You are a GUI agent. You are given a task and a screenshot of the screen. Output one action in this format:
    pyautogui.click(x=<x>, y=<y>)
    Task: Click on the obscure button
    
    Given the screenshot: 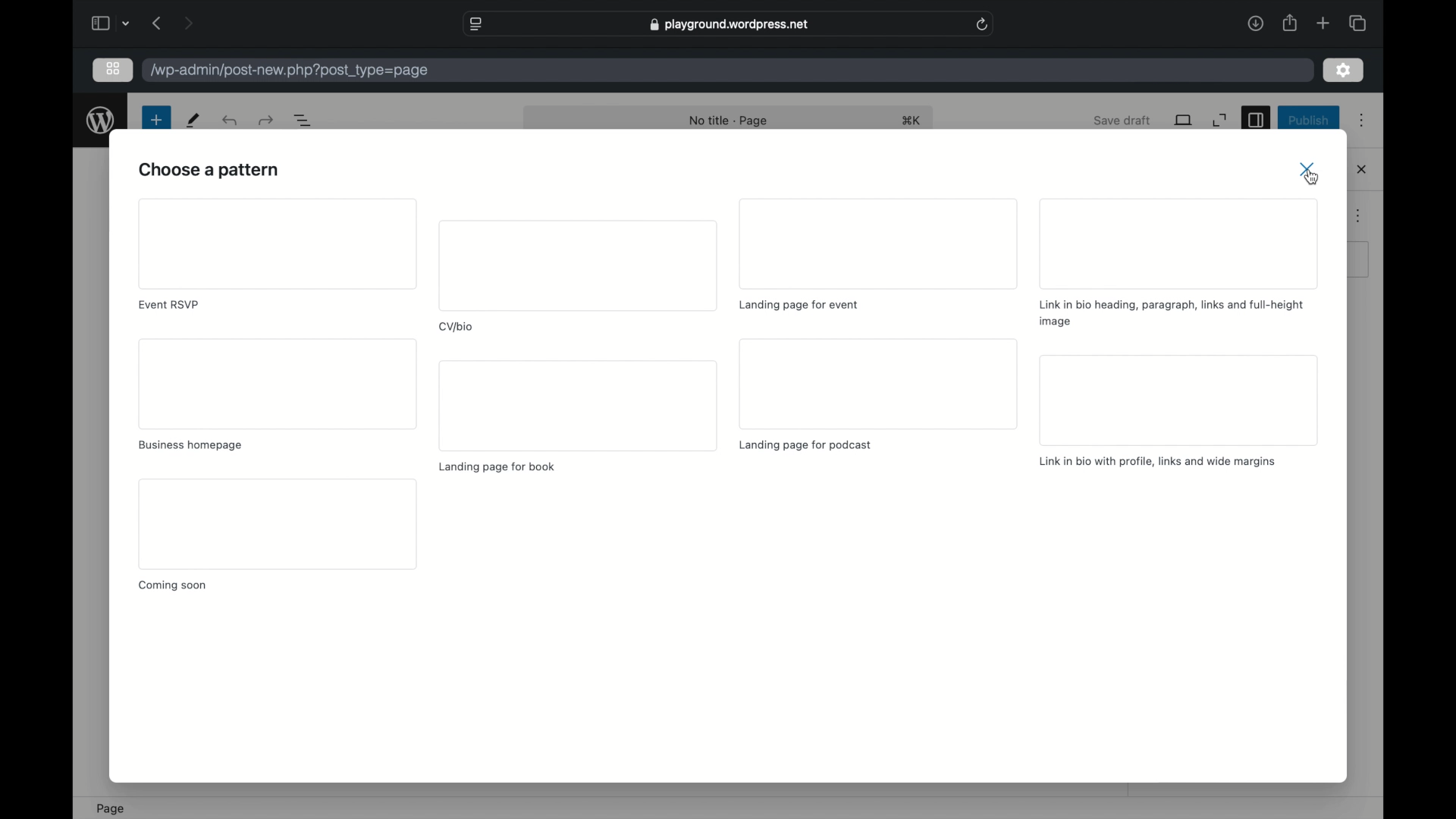 What is the action you would take?
    pyautogui.click(x=1359, y=259)
    